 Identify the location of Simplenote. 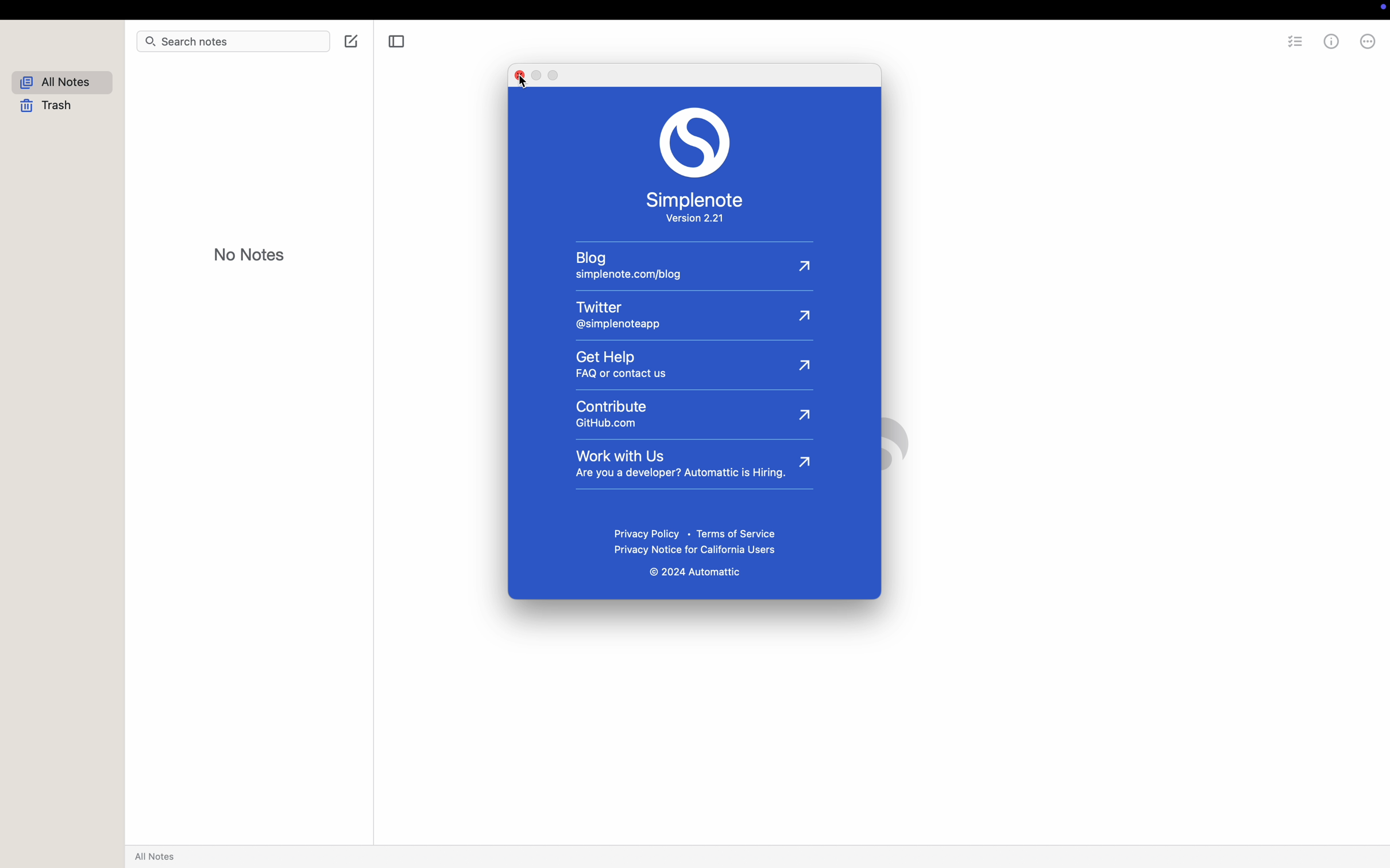
(698, 200).